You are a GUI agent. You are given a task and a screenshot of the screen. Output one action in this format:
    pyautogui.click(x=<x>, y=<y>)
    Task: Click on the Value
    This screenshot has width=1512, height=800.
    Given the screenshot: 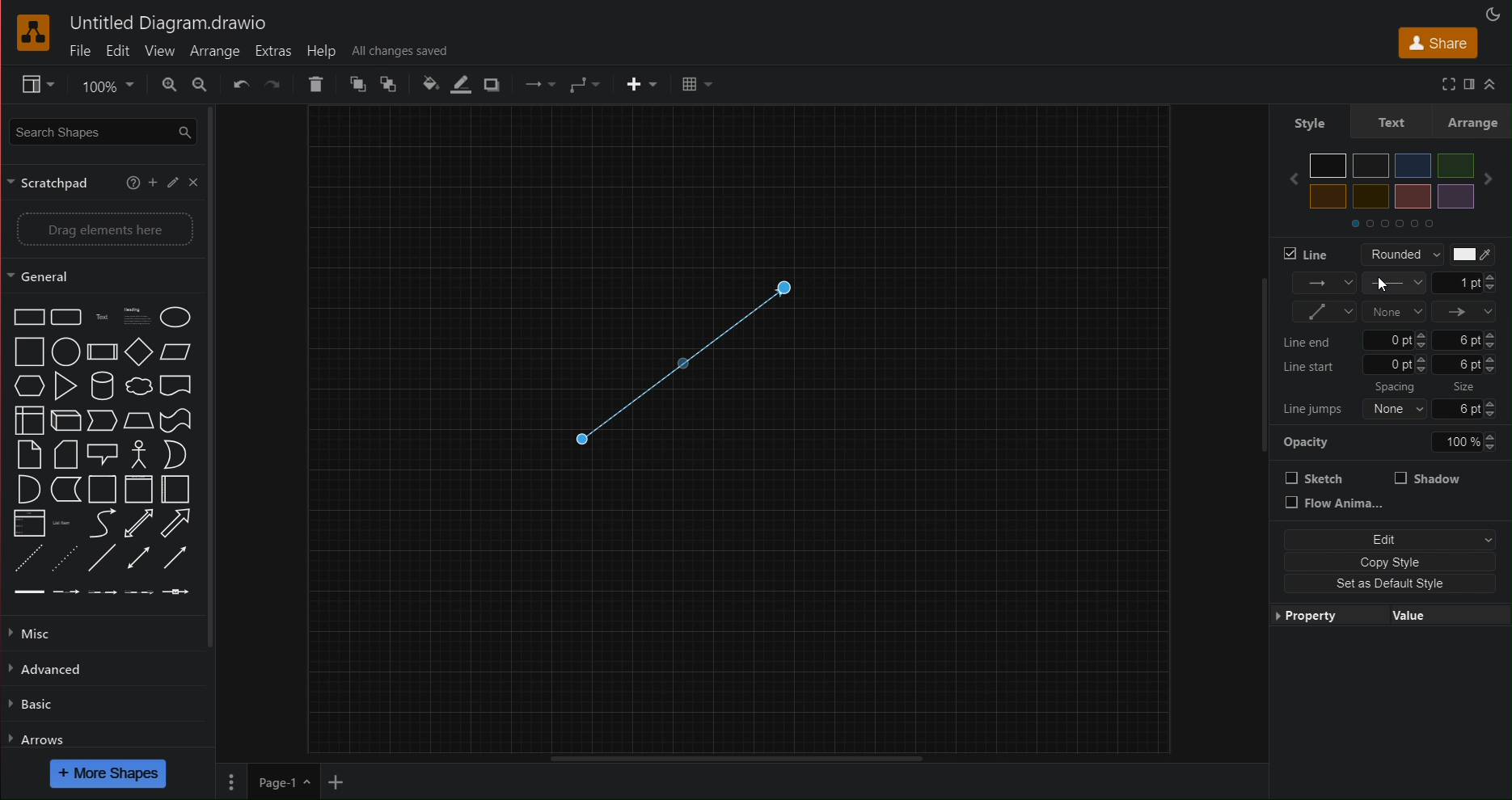 What is the action you would take?
    pyautogui.click(x=1416, y=613)
    